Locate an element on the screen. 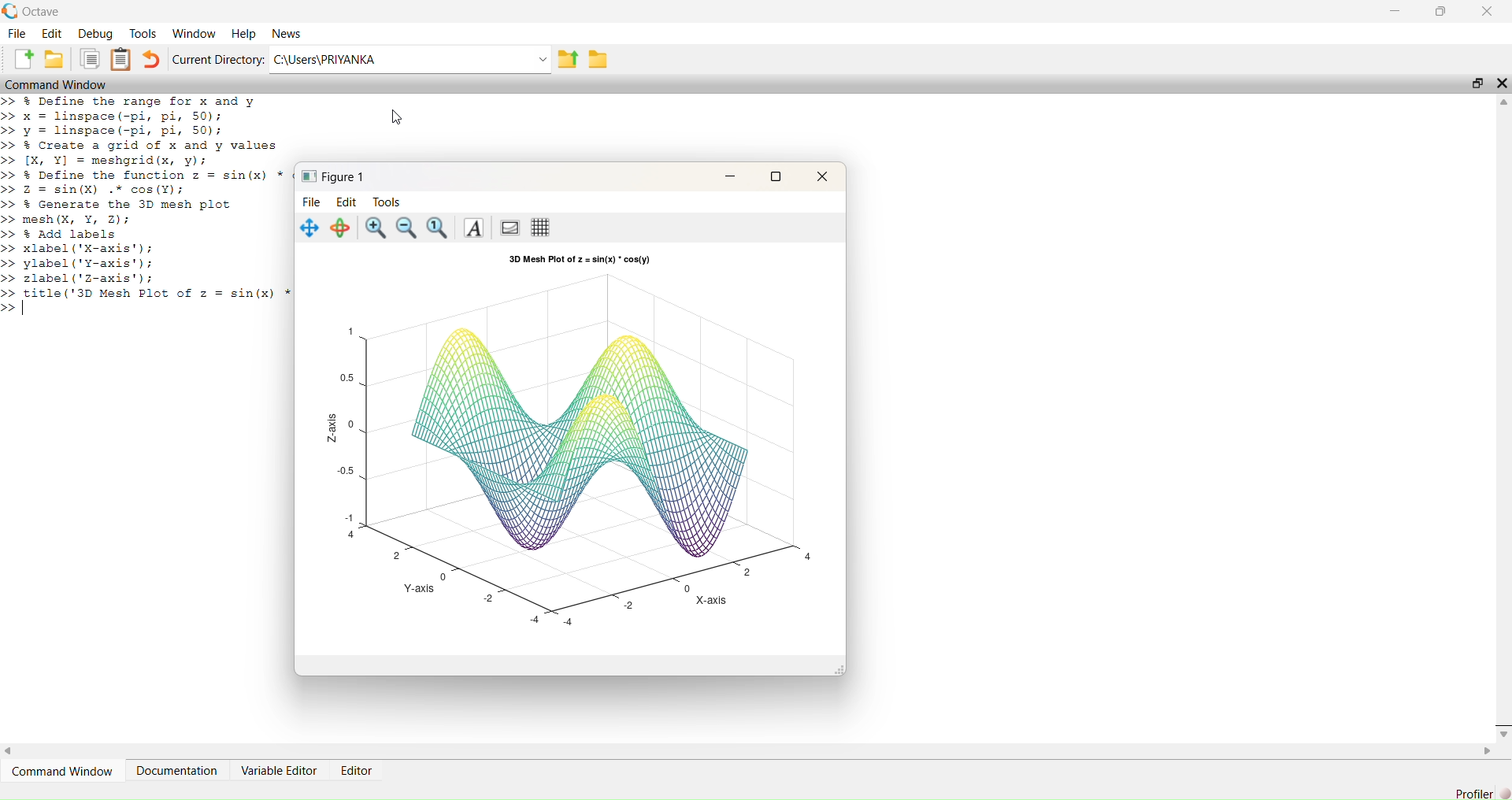 The height and width of the screenshot is (800, 1512). Right is located at coordinates (1489, 751).